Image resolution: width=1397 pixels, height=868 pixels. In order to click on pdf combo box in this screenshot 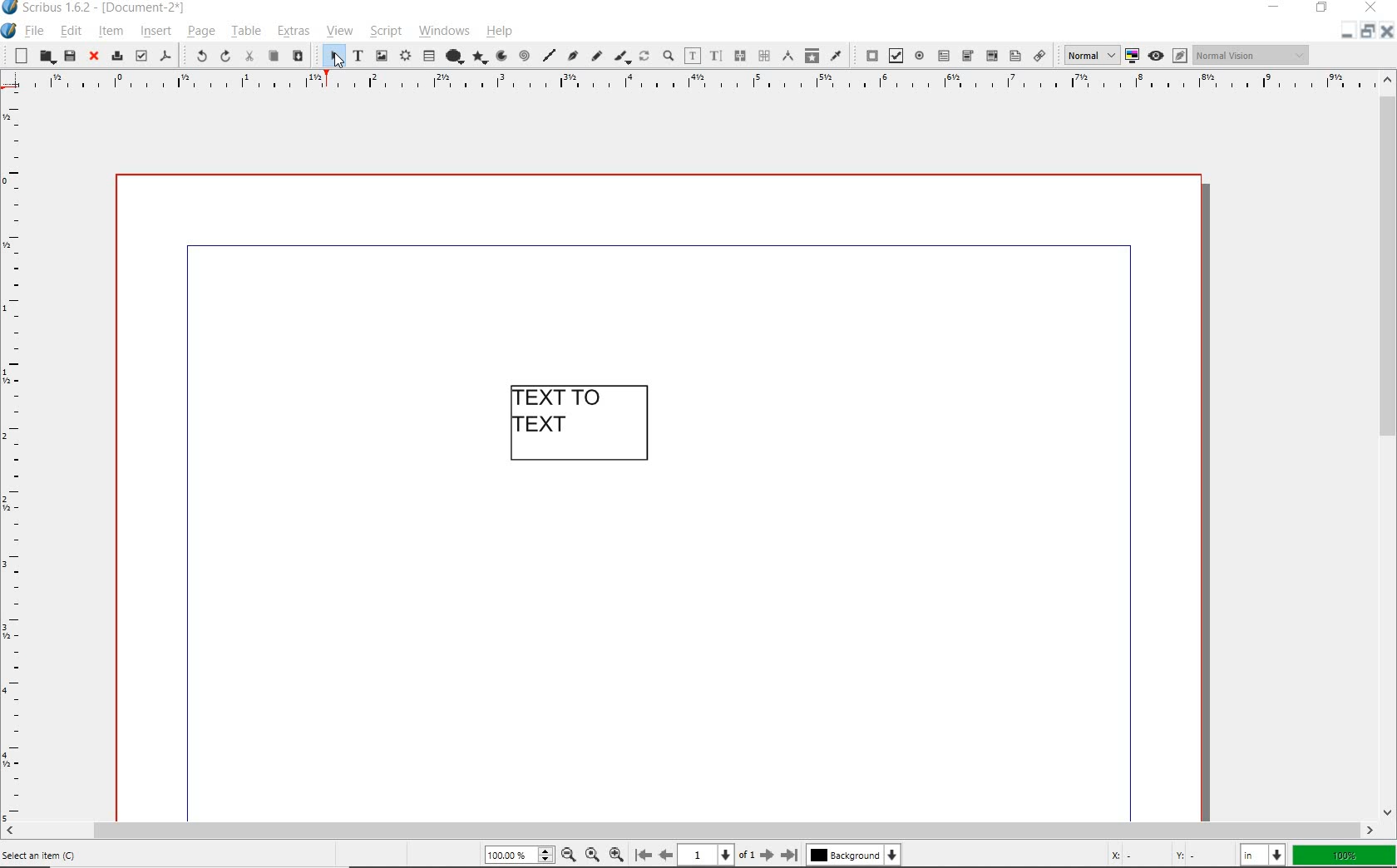, I will do `click(967, 55)`.